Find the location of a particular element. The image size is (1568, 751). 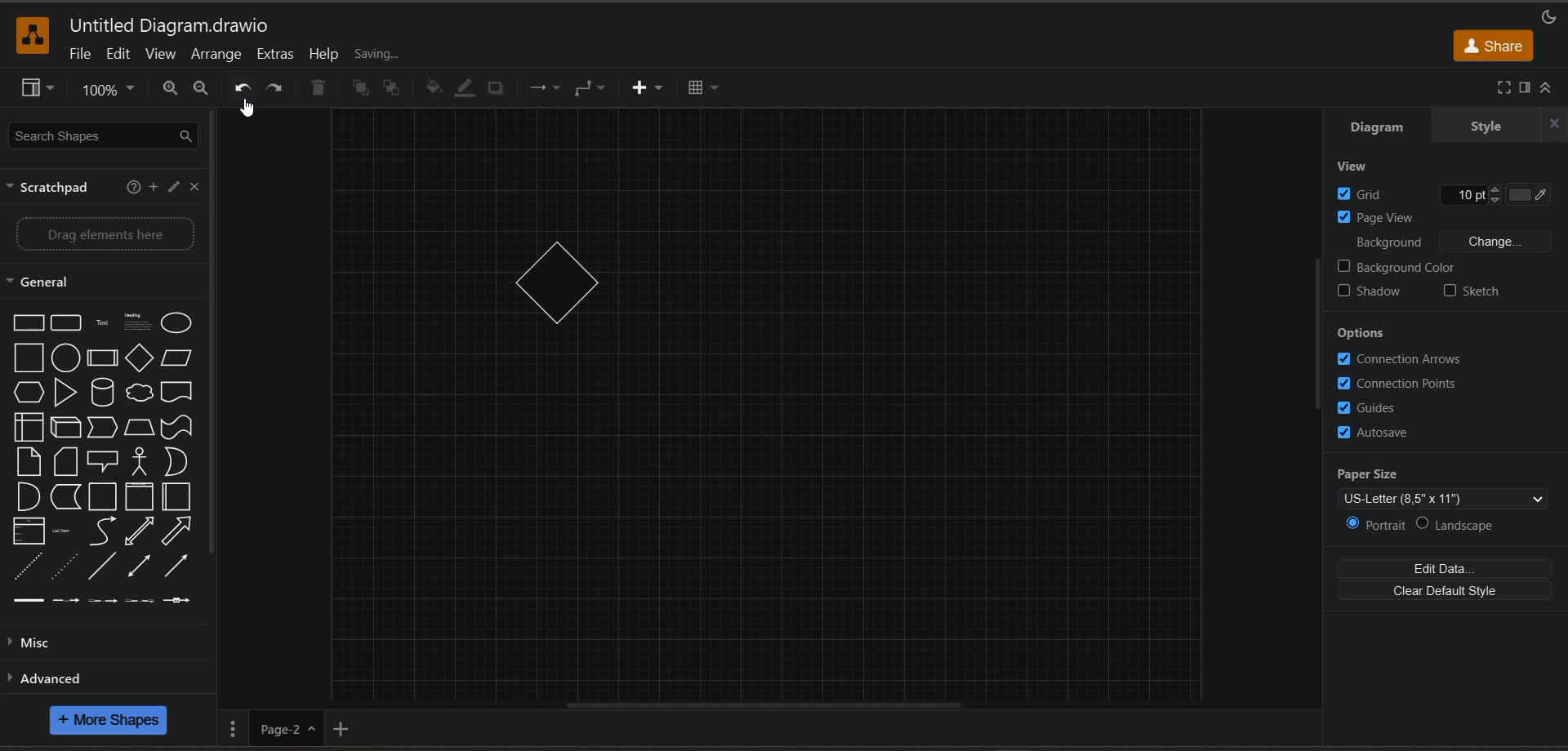

fill color is located at coordinates (432, 87).